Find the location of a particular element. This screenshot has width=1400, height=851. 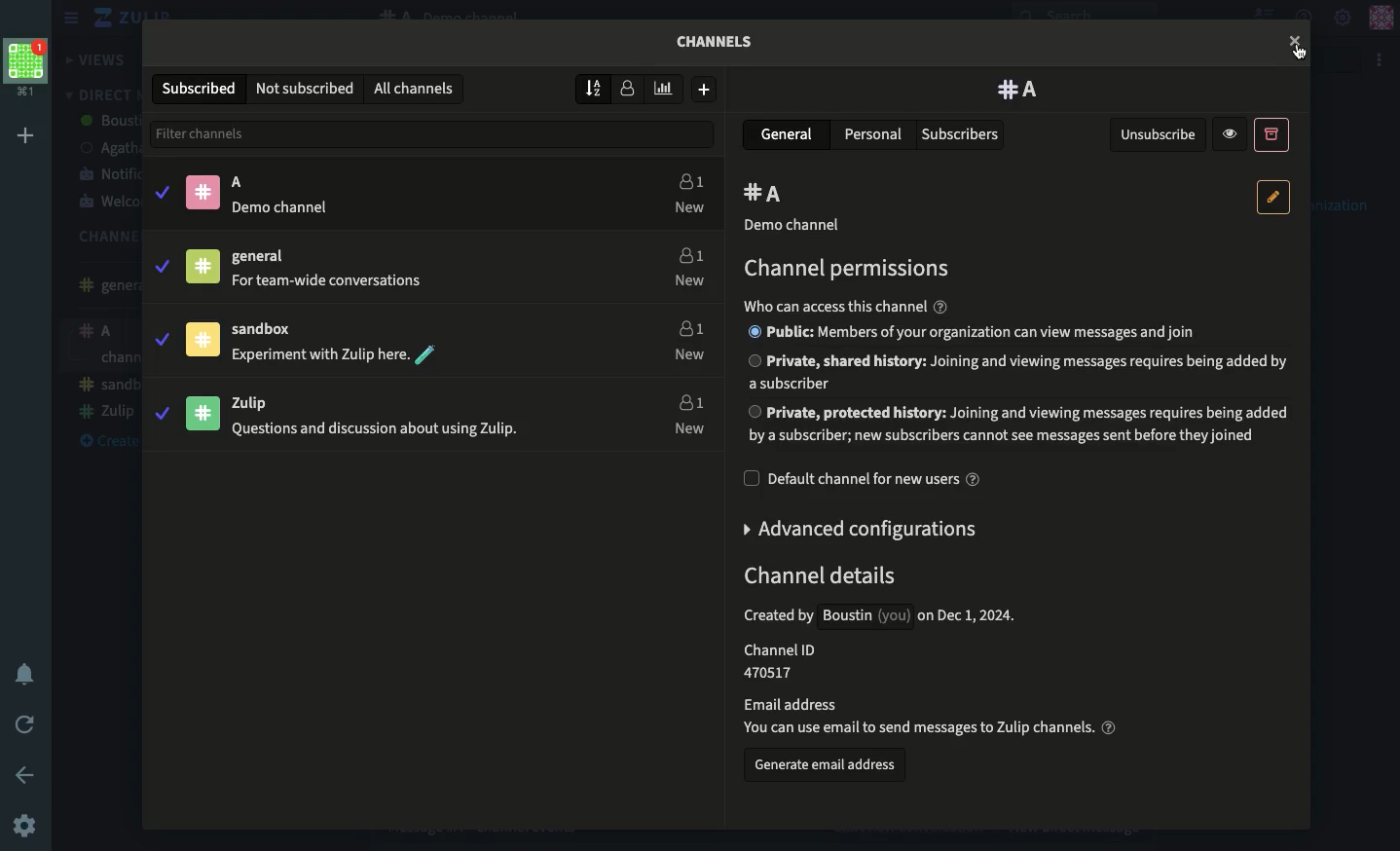

Views is located at coordinates (98, 60).